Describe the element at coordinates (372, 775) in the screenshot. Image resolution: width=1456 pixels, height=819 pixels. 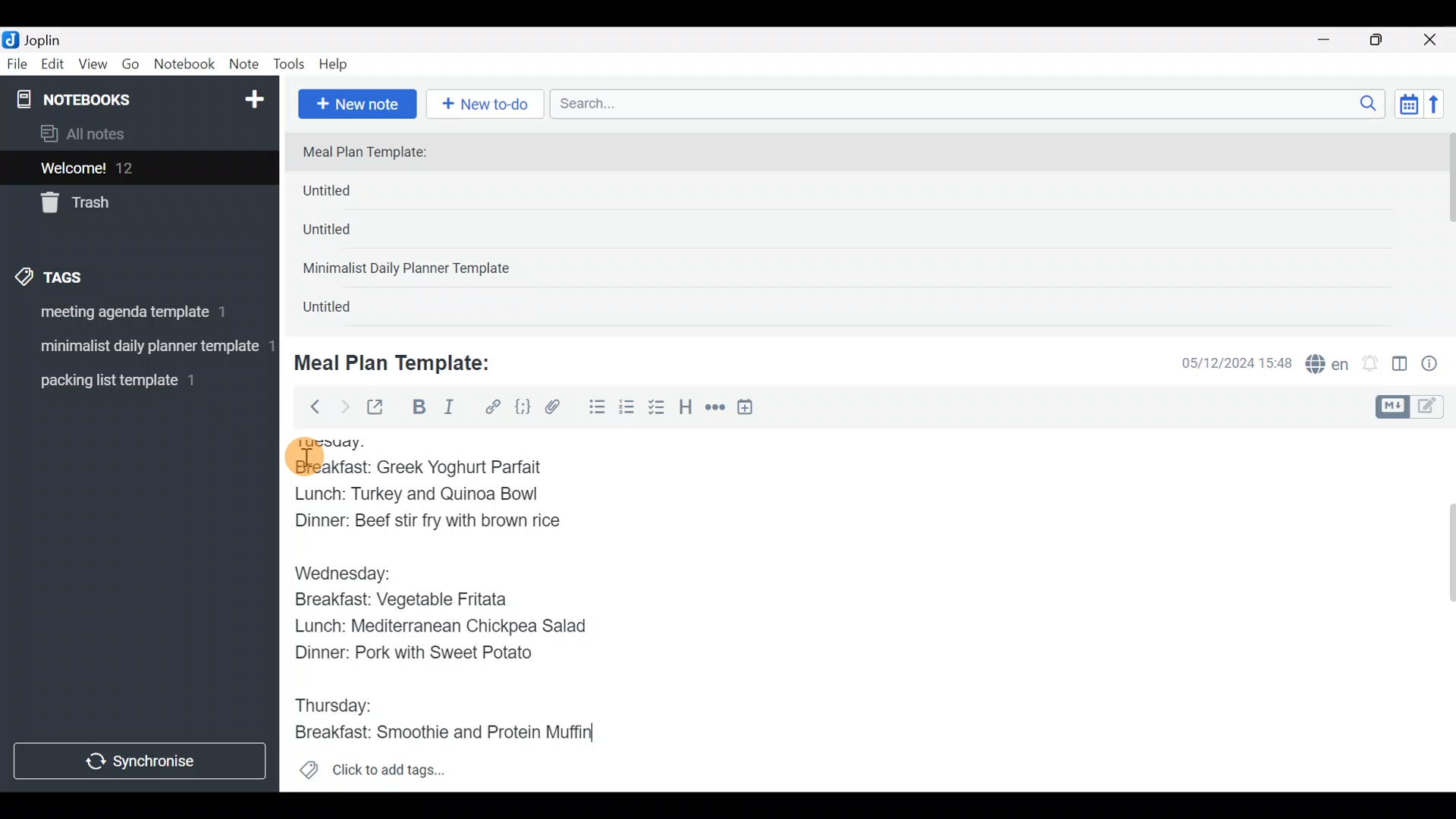
I see `Click to add tags` at that location.